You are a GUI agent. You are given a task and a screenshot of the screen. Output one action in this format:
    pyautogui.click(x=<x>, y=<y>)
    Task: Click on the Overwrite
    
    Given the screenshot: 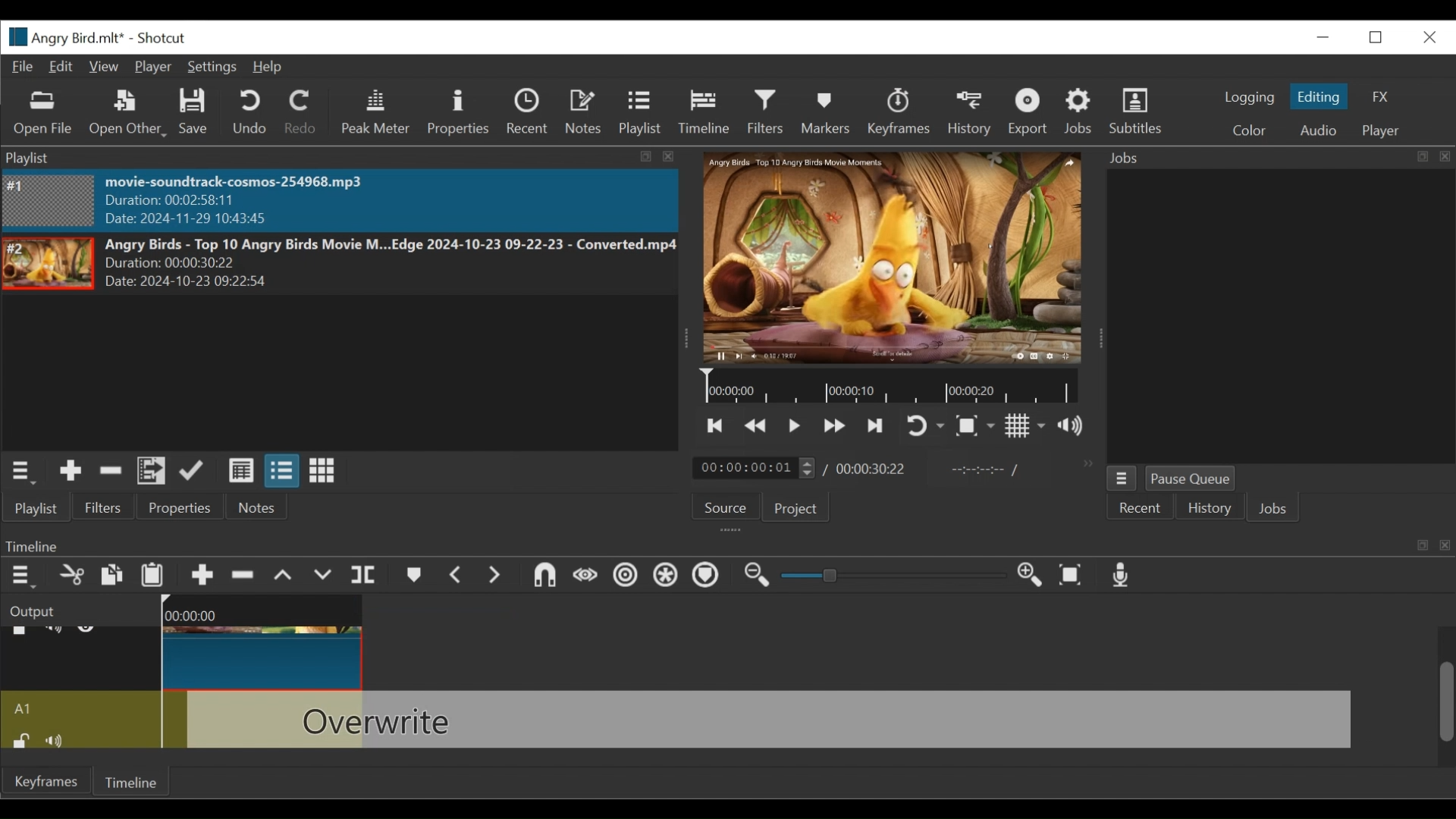 What is the action you would take?
    pyautogui.click(x=768, y=721)
    